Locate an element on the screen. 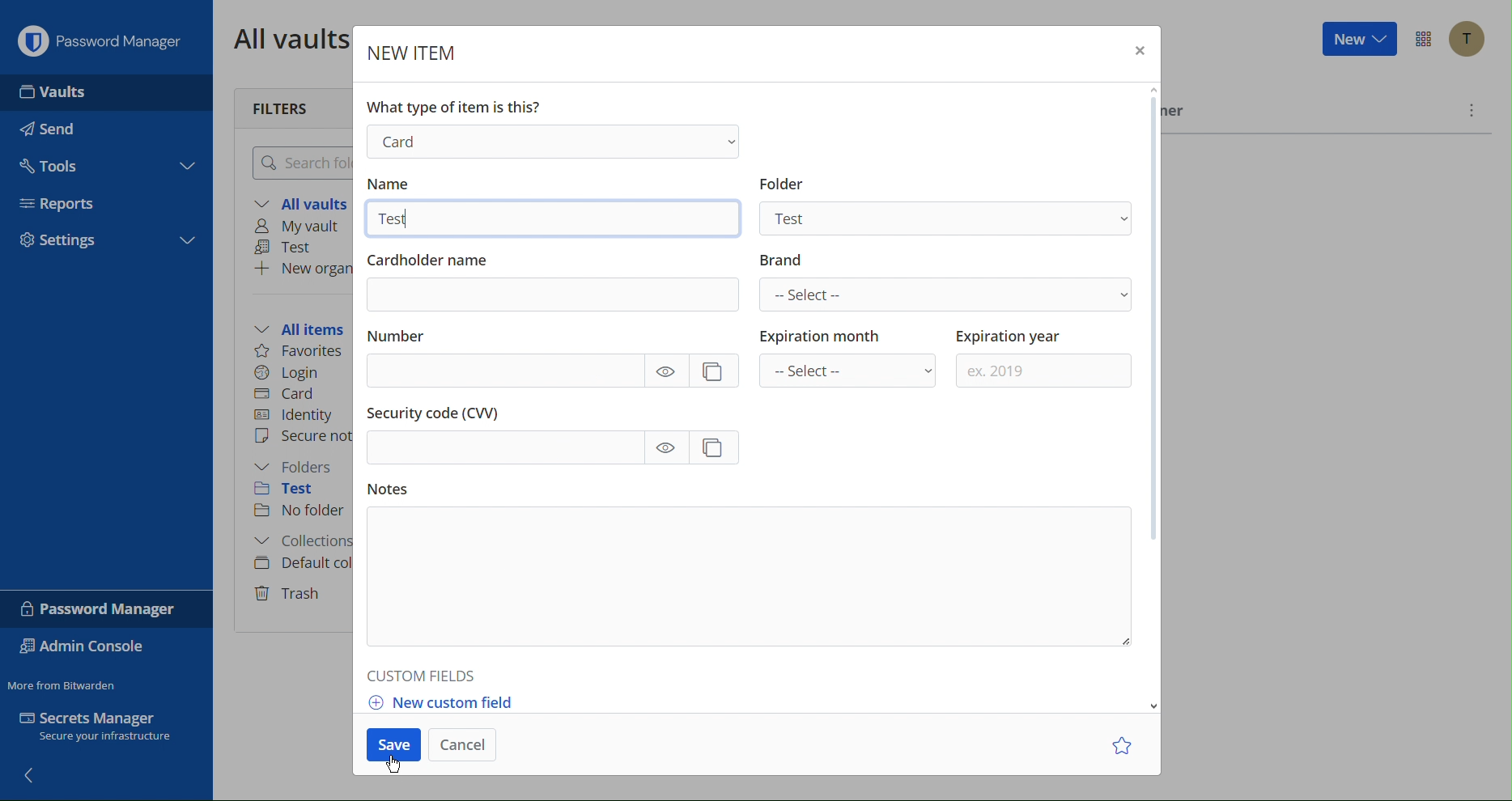 The image size is (1512, 801). What type of item is this? is located at coordinates (465, 103).